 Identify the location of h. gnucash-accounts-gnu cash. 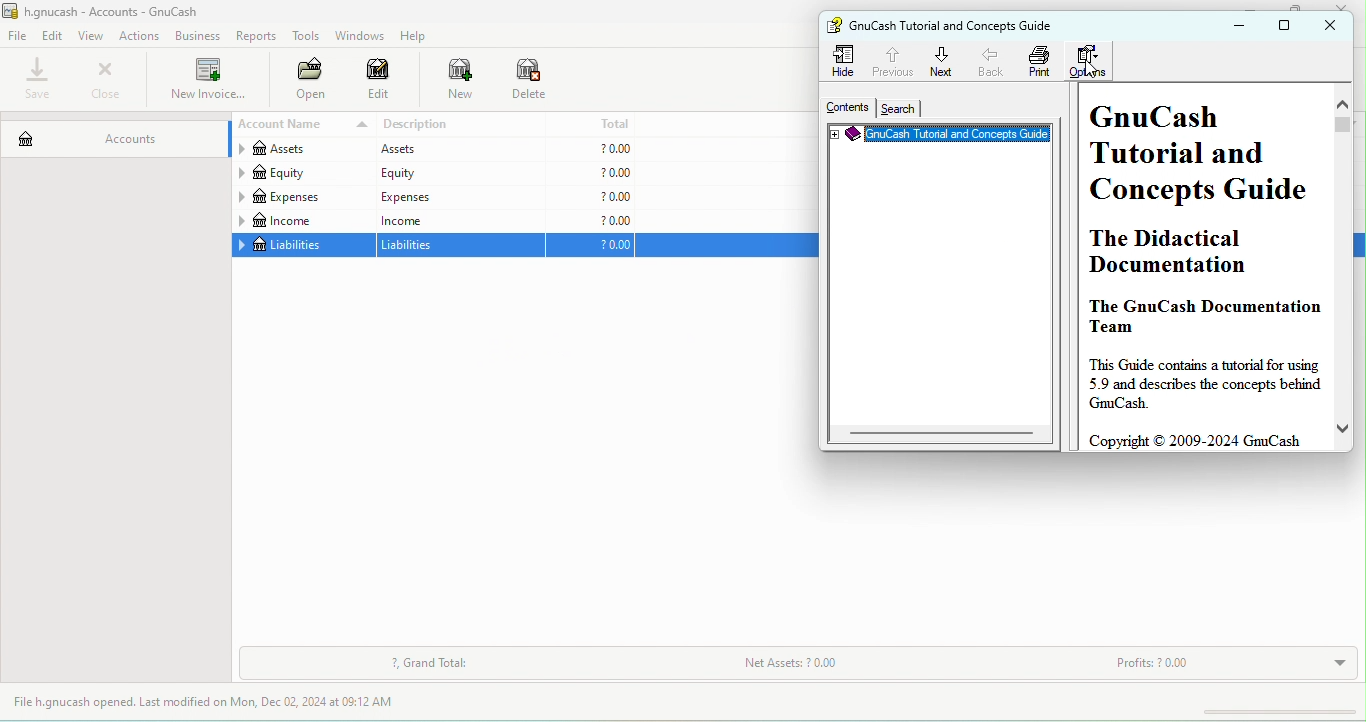
(125, 10).